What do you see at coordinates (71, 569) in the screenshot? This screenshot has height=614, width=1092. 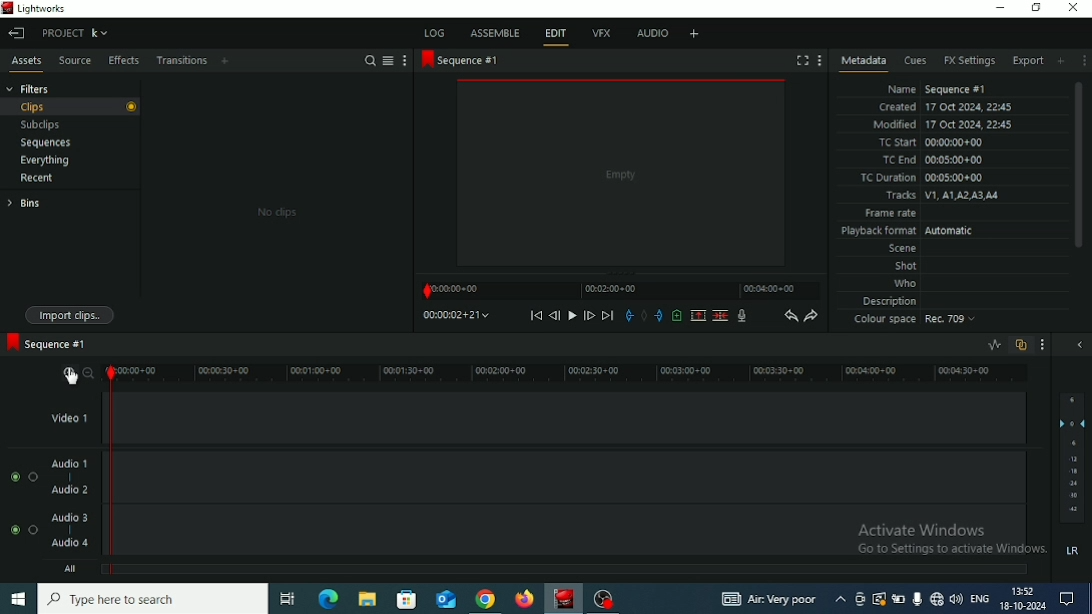 I see `All` at bounding box center [71, 569].